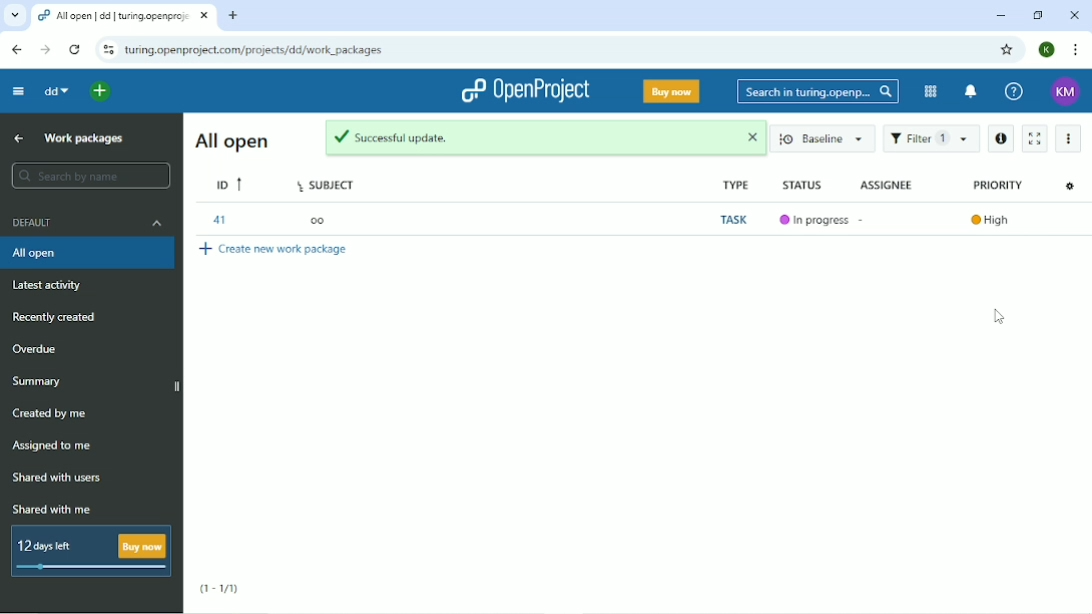 The width and height of the screenshot is (1092, 614). I want to click on Cursor, so click(1001, 317).